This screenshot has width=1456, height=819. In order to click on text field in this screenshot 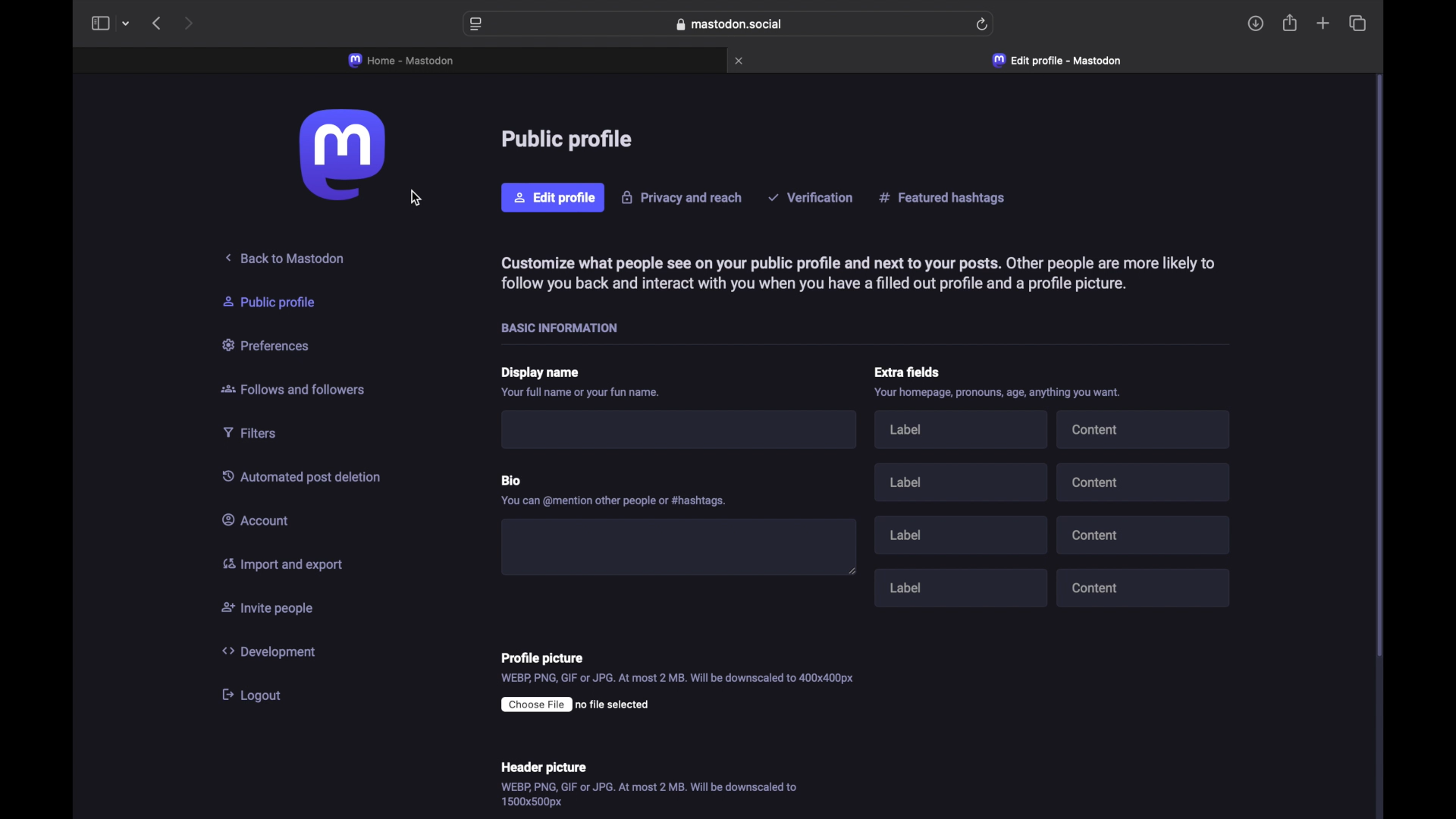, I will do `click(678, 429)`.